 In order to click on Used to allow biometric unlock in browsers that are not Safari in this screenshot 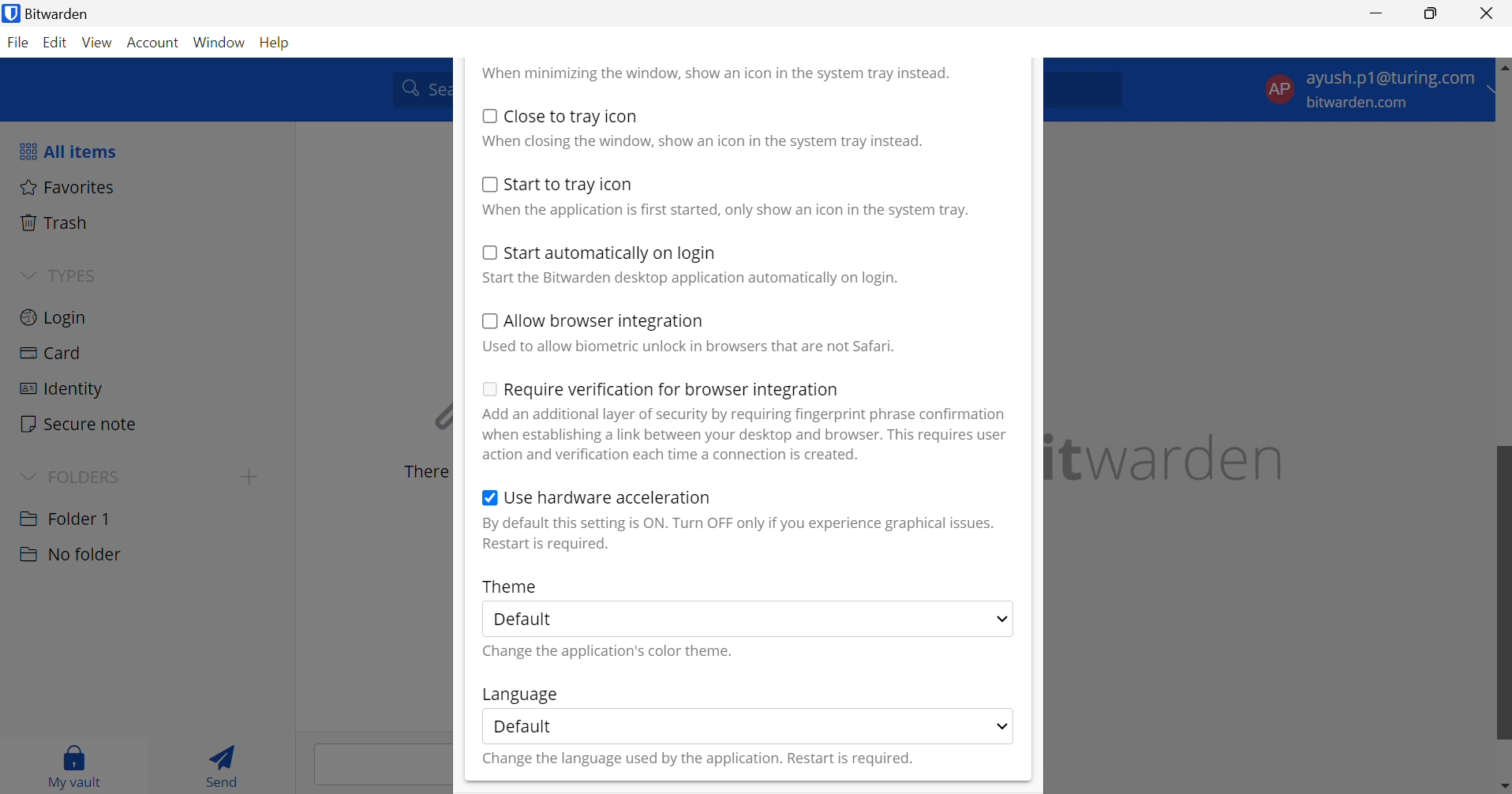, I will do `click(688, 346)`.